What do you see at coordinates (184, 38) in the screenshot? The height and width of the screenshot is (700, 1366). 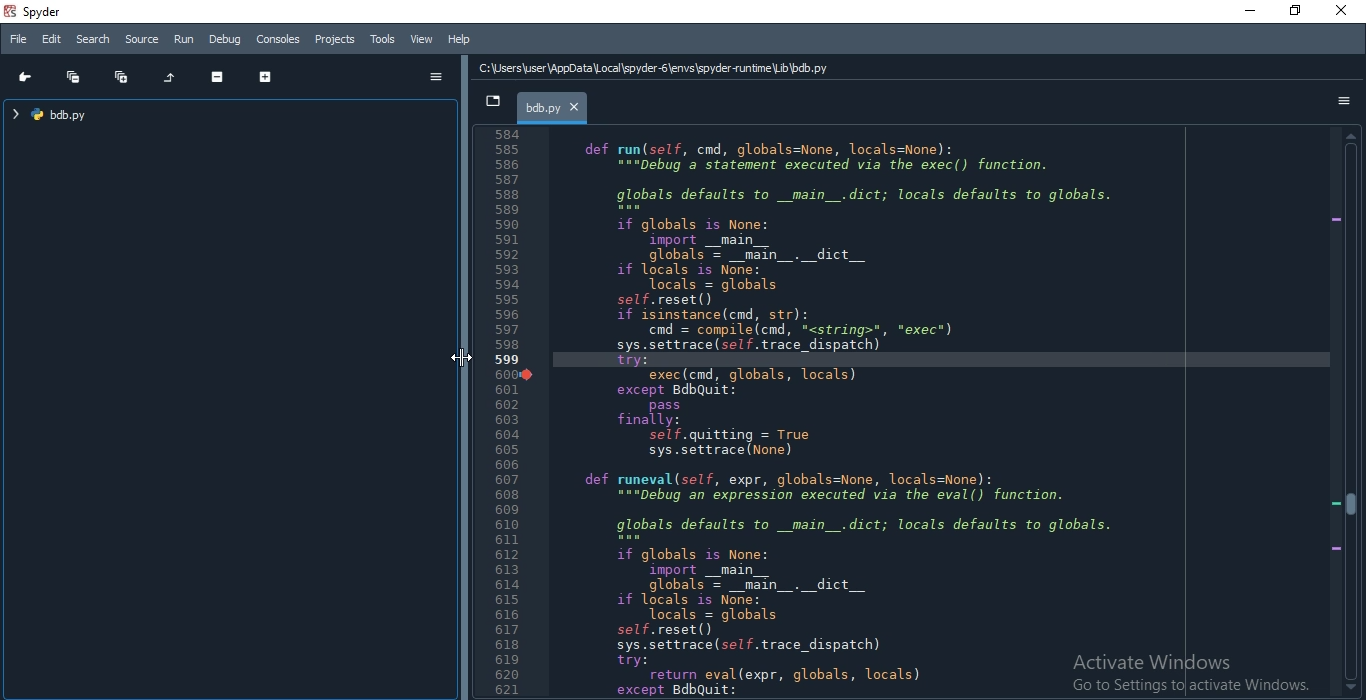 I see `Run` at bounding box center [184, 38].